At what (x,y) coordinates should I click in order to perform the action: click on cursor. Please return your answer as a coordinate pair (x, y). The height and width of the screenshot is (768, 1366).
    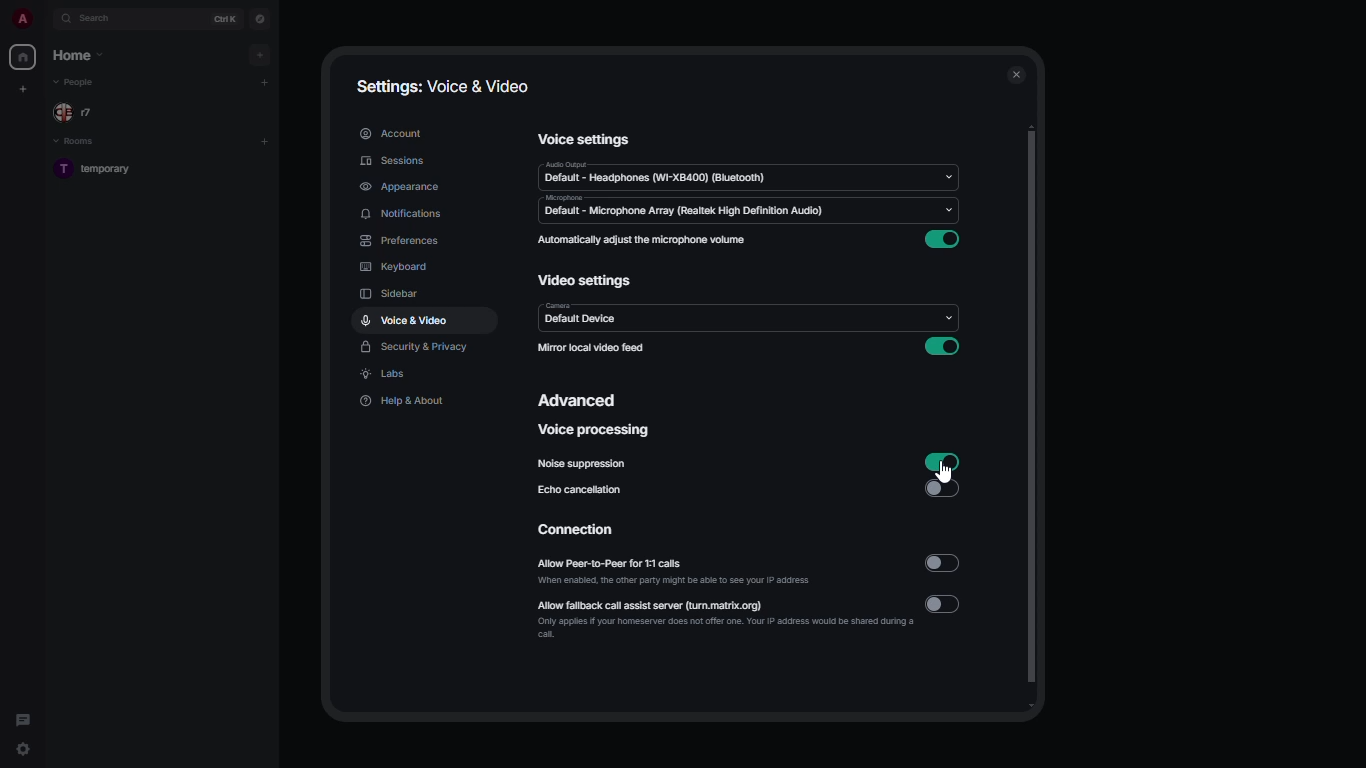
    Looking at the image, I should click on (941, 473).